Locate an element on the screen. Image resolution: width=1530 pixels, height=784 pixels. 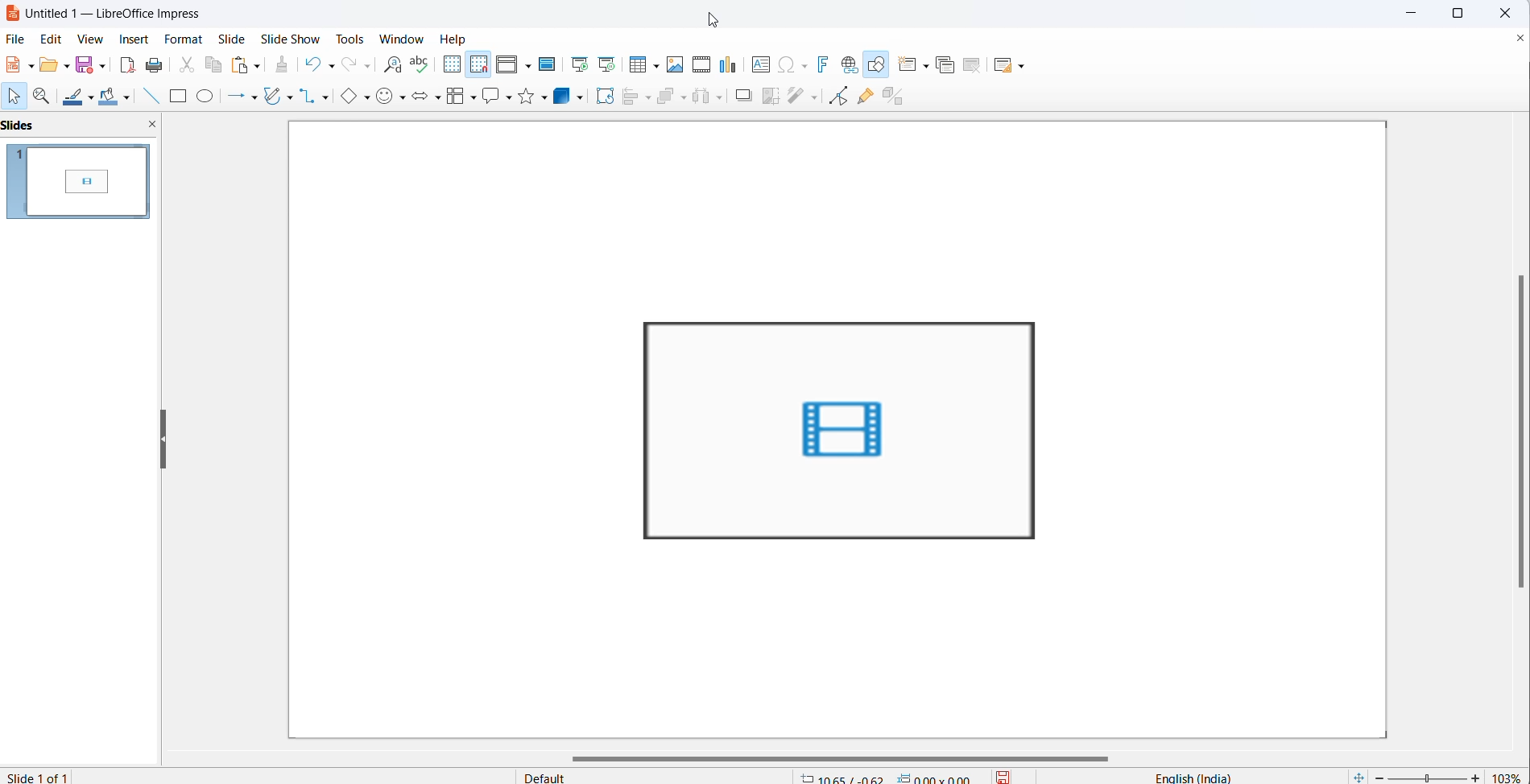
display grid is located at coordinates (455, 65).